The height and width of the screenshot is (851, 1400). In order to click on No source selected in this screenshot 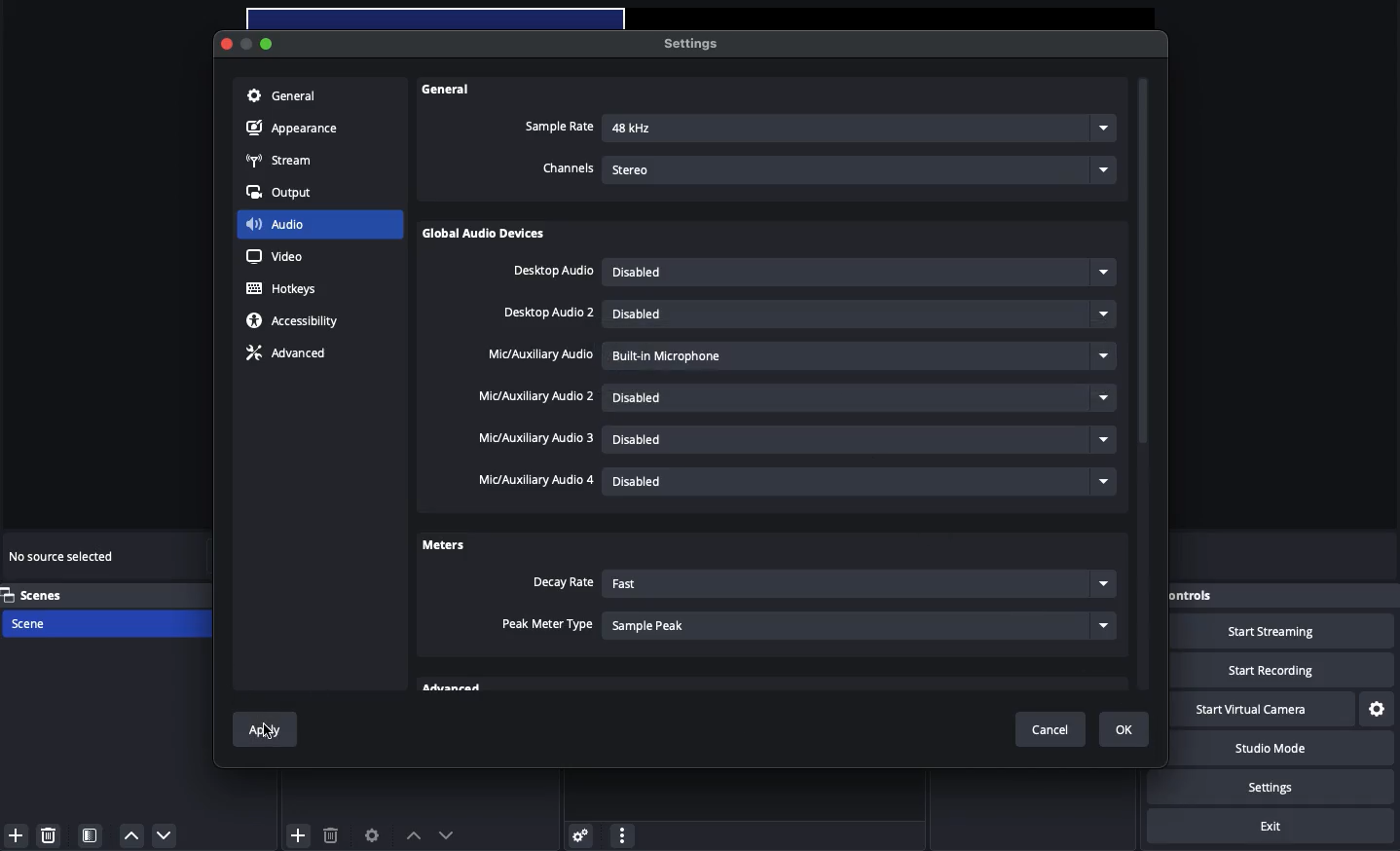, I will do `click(63, 559)`.